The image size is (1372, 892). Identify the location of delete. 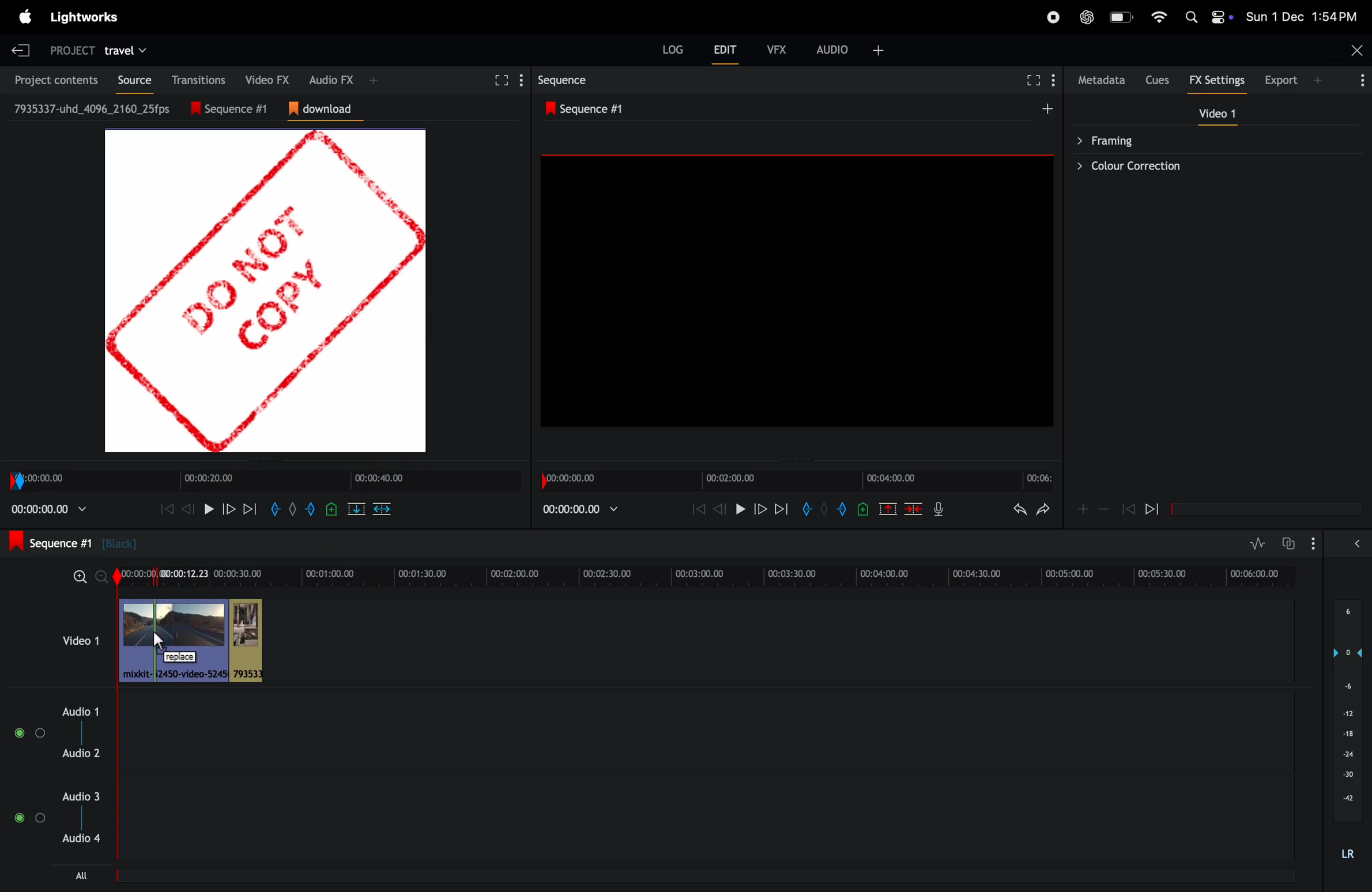
(382, 509).